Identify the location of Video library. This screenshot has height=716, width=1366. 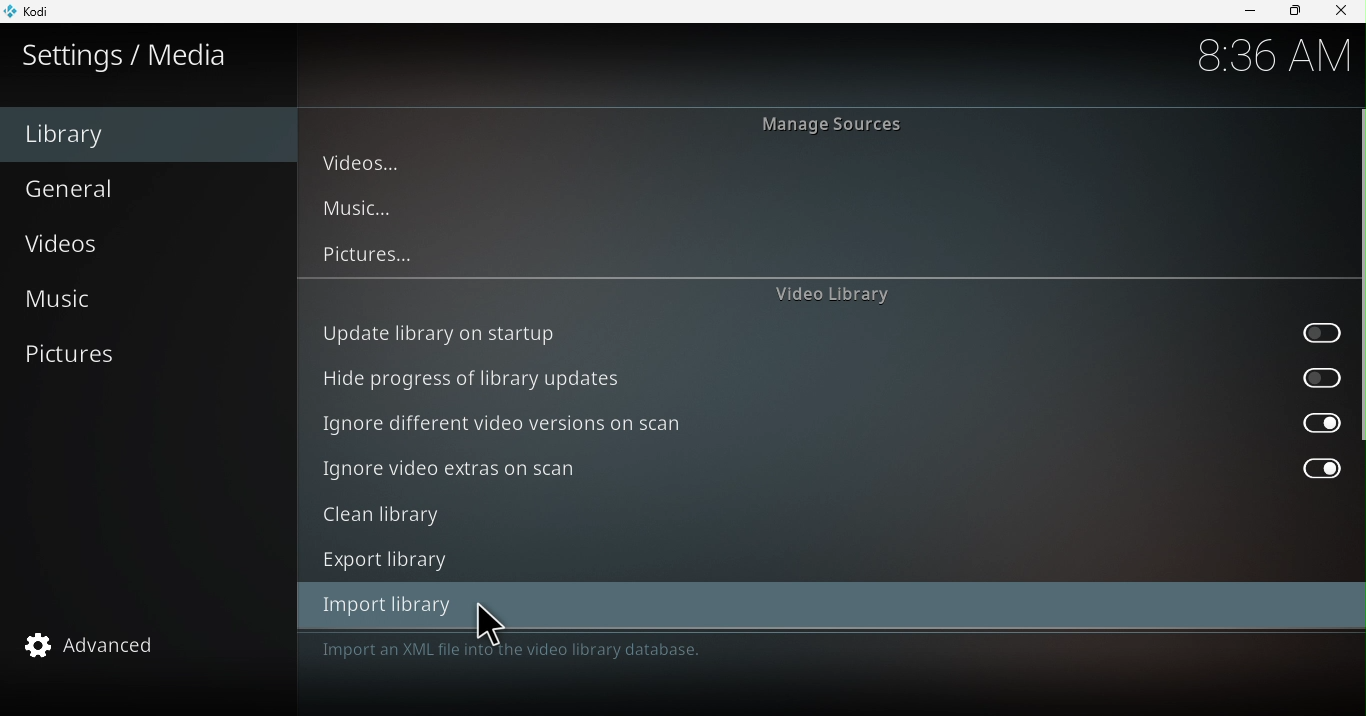
(832, 295).